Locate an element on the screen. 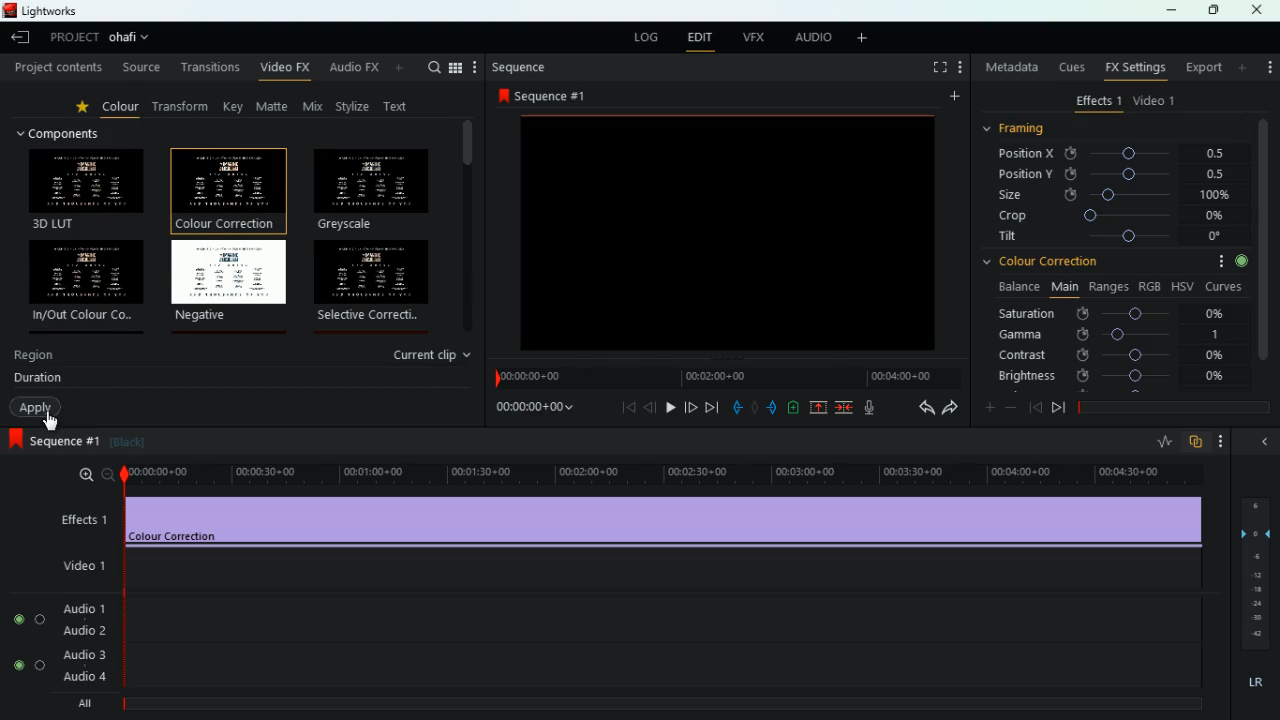 This screenshot has height=720, width=1280. effect is located at coordinates (80, 516).